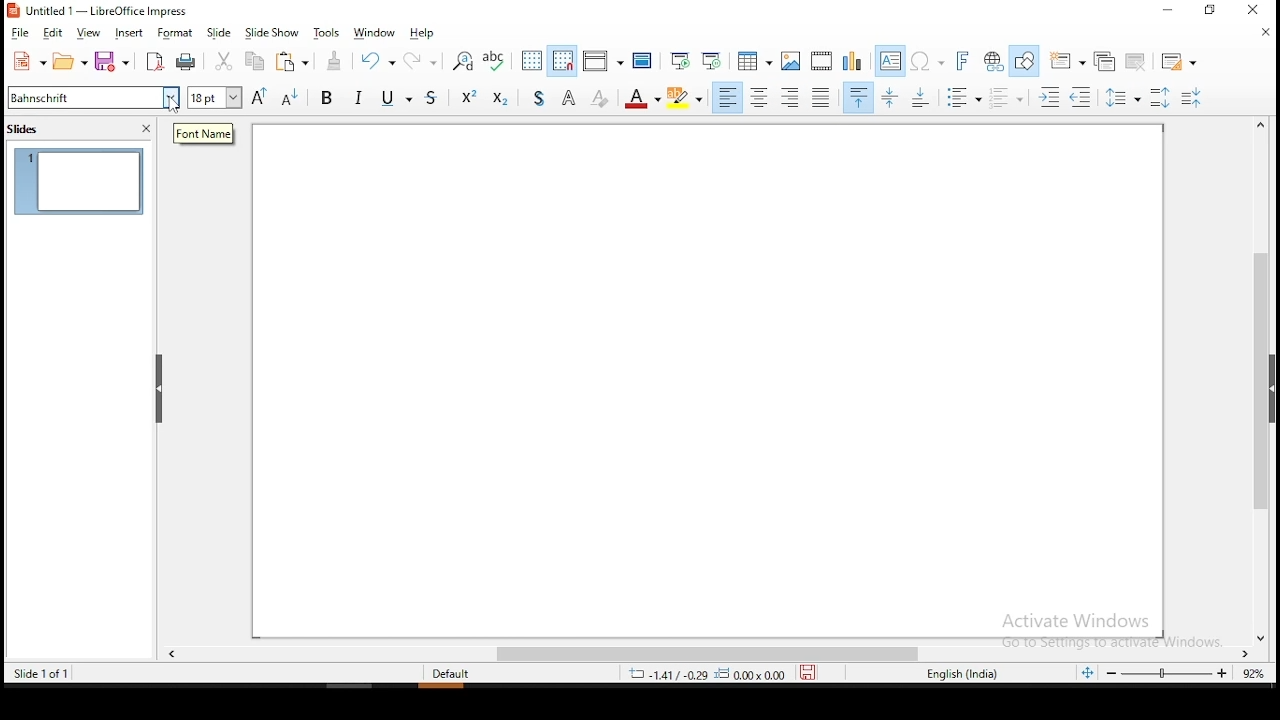 This screenshot has height=720, width=1280. What do you see at coordinates (41, 673) in the screenshot?
I see `slide 1 of 1` at bounding box center [41, 673].